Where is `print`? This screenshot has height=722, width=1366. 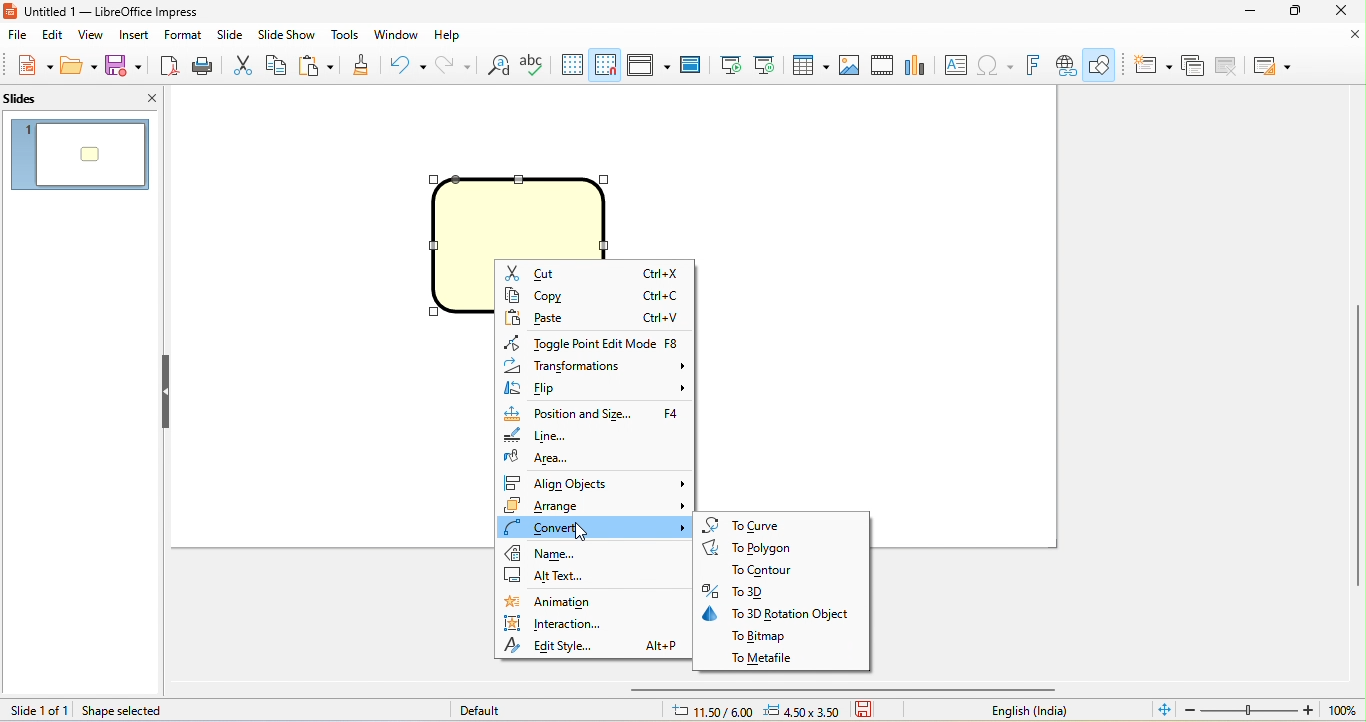 print is located at coordinates (205, 64).